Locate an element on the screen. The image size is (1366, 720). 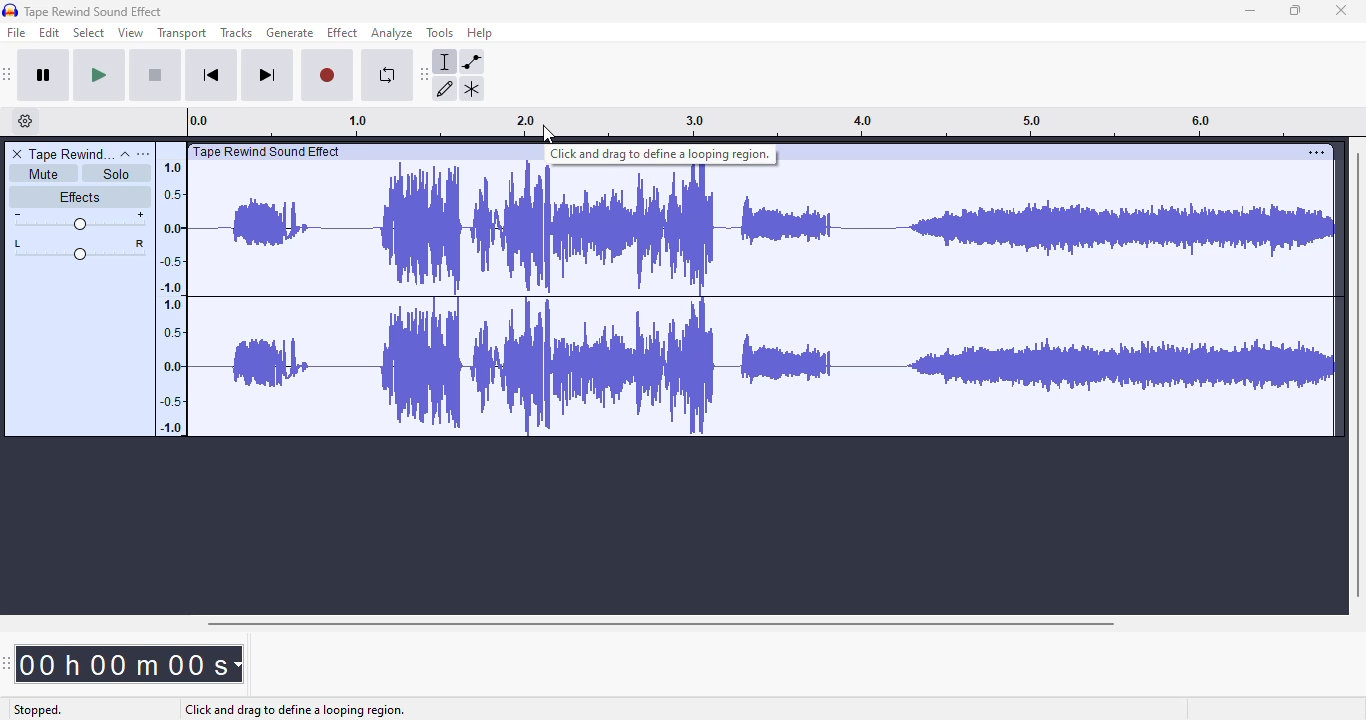
mouse down is located at coordinates (550, 134).